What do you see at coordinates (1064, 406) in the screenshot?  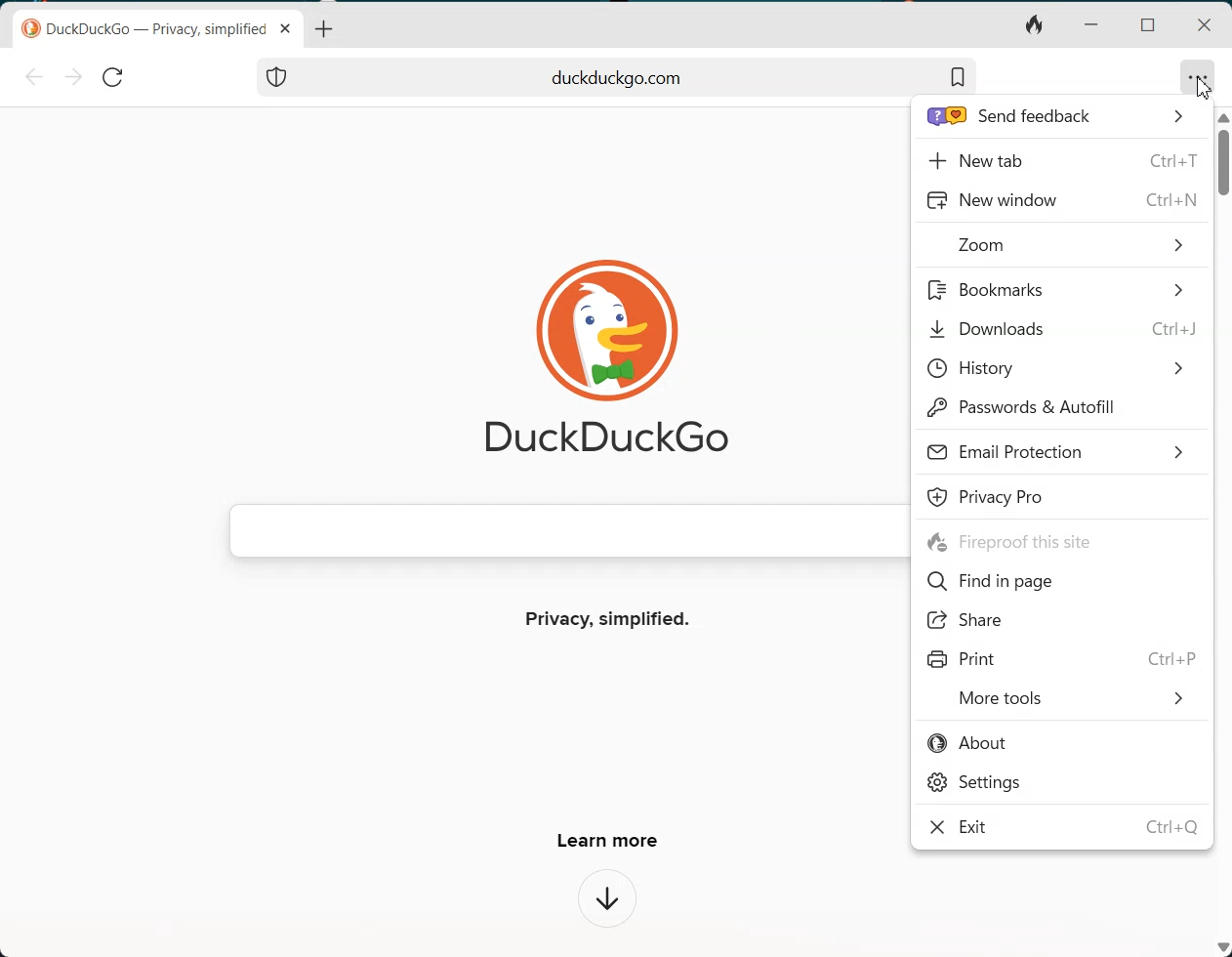 I see `Password & Autofill` at bounding box center [1064, 406].